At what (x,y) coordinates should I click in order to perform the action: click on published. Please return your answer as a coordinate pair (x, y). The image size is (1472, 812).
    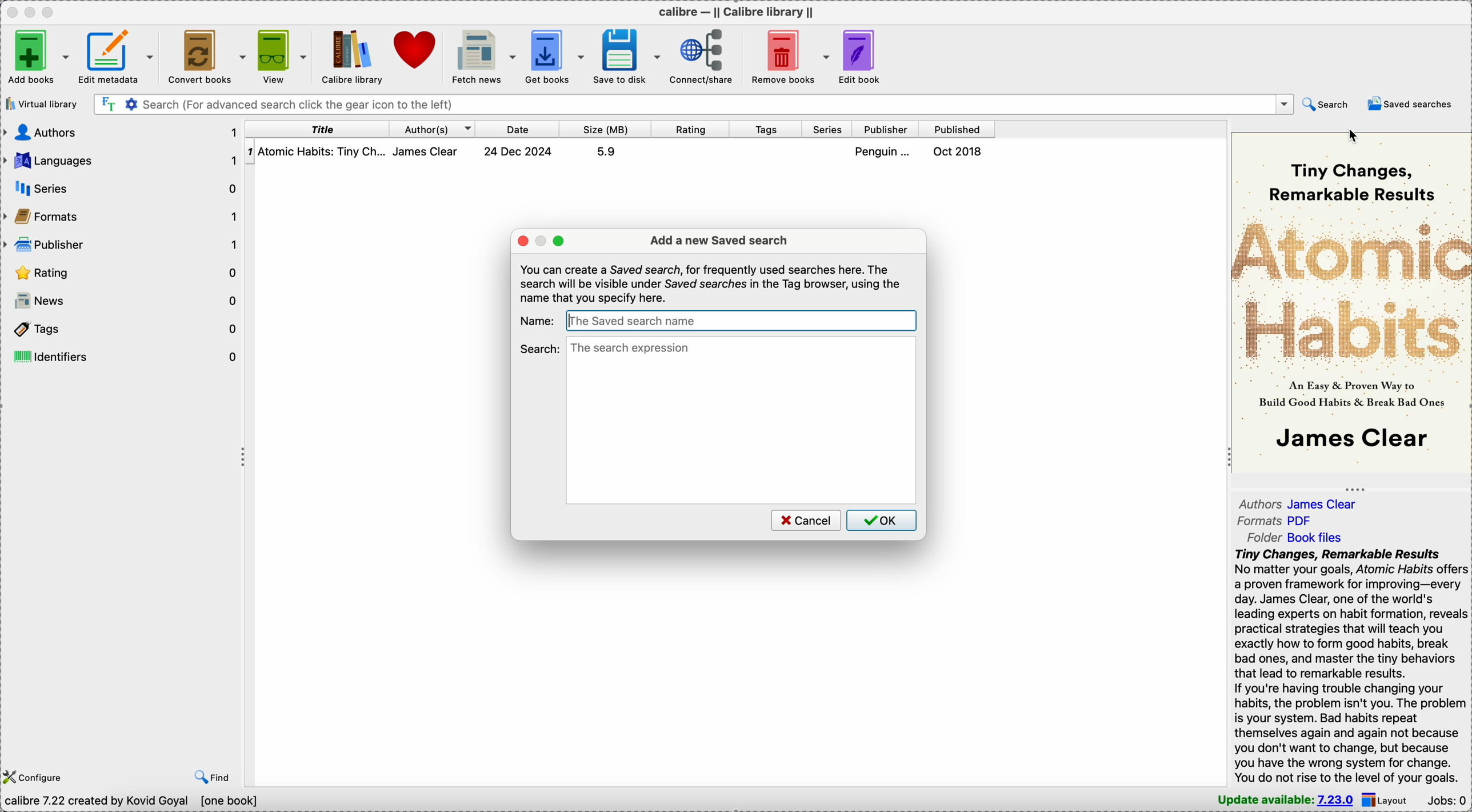
    Looking at the image, I should click on (957, 129).